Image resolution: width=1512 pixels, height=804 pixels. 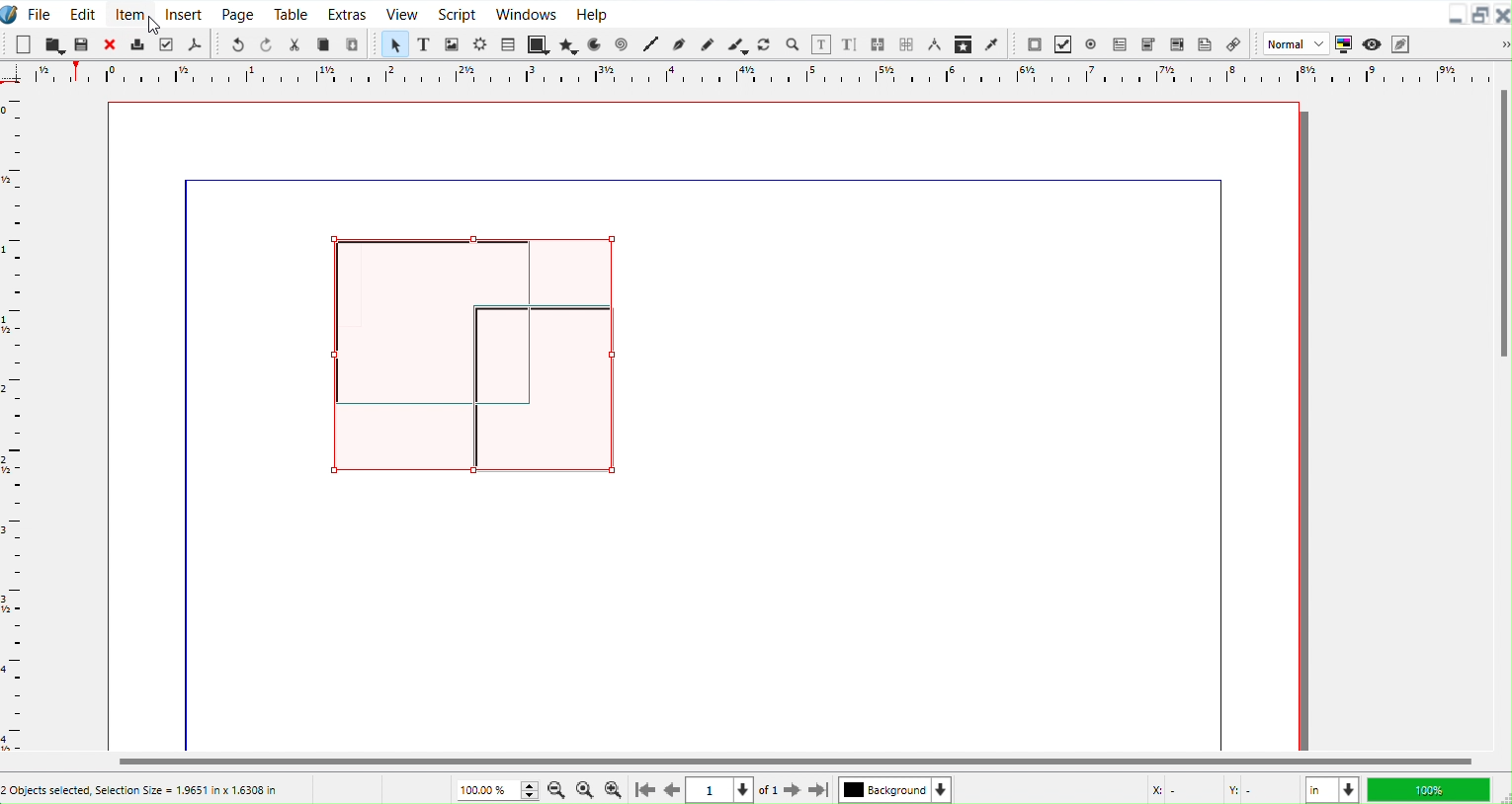 I want to click on Page, so click(x=236, y=13).